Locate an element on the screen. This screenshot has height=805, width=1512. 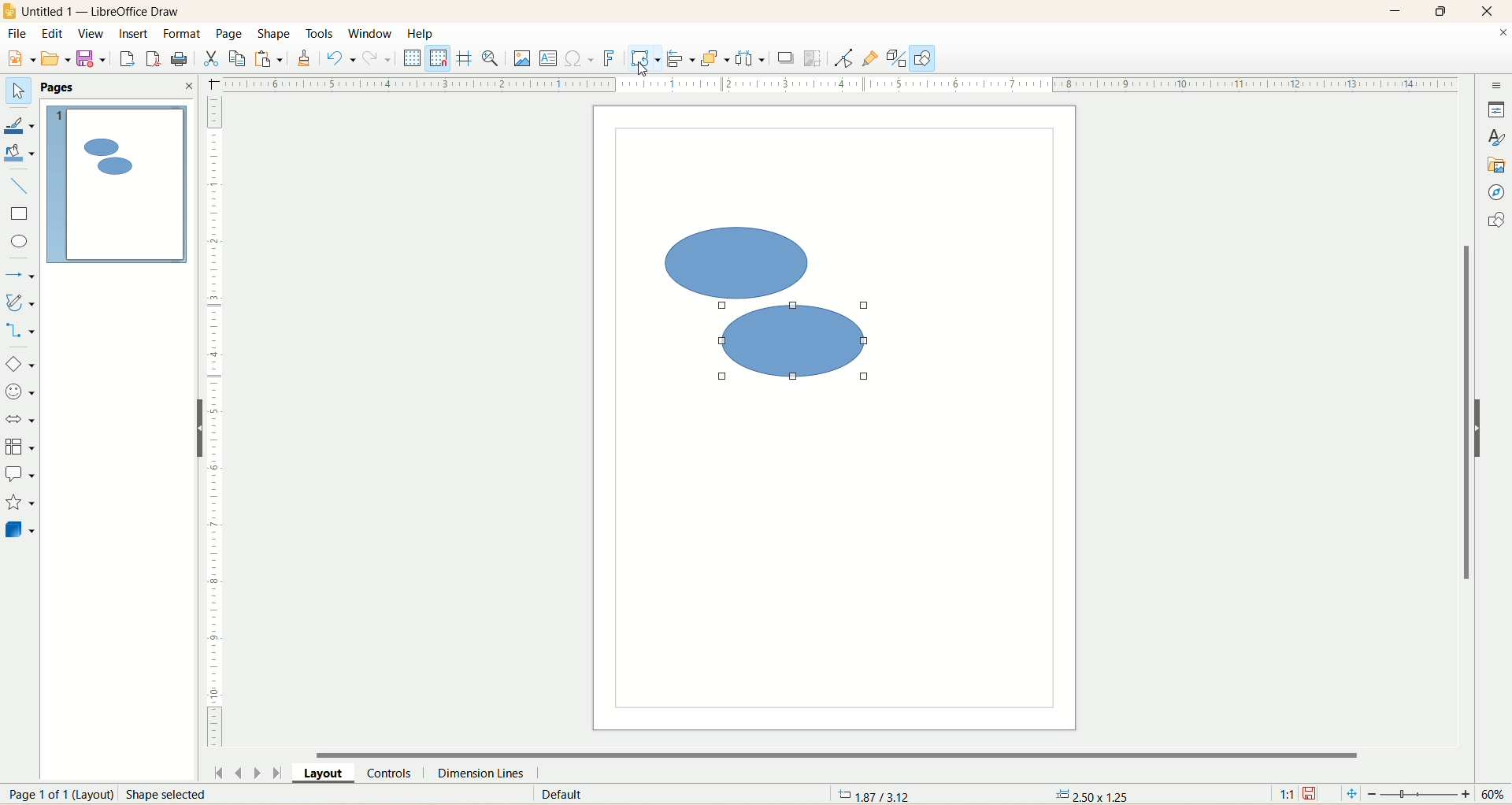
block arrow is located at coordinates (19, 421).